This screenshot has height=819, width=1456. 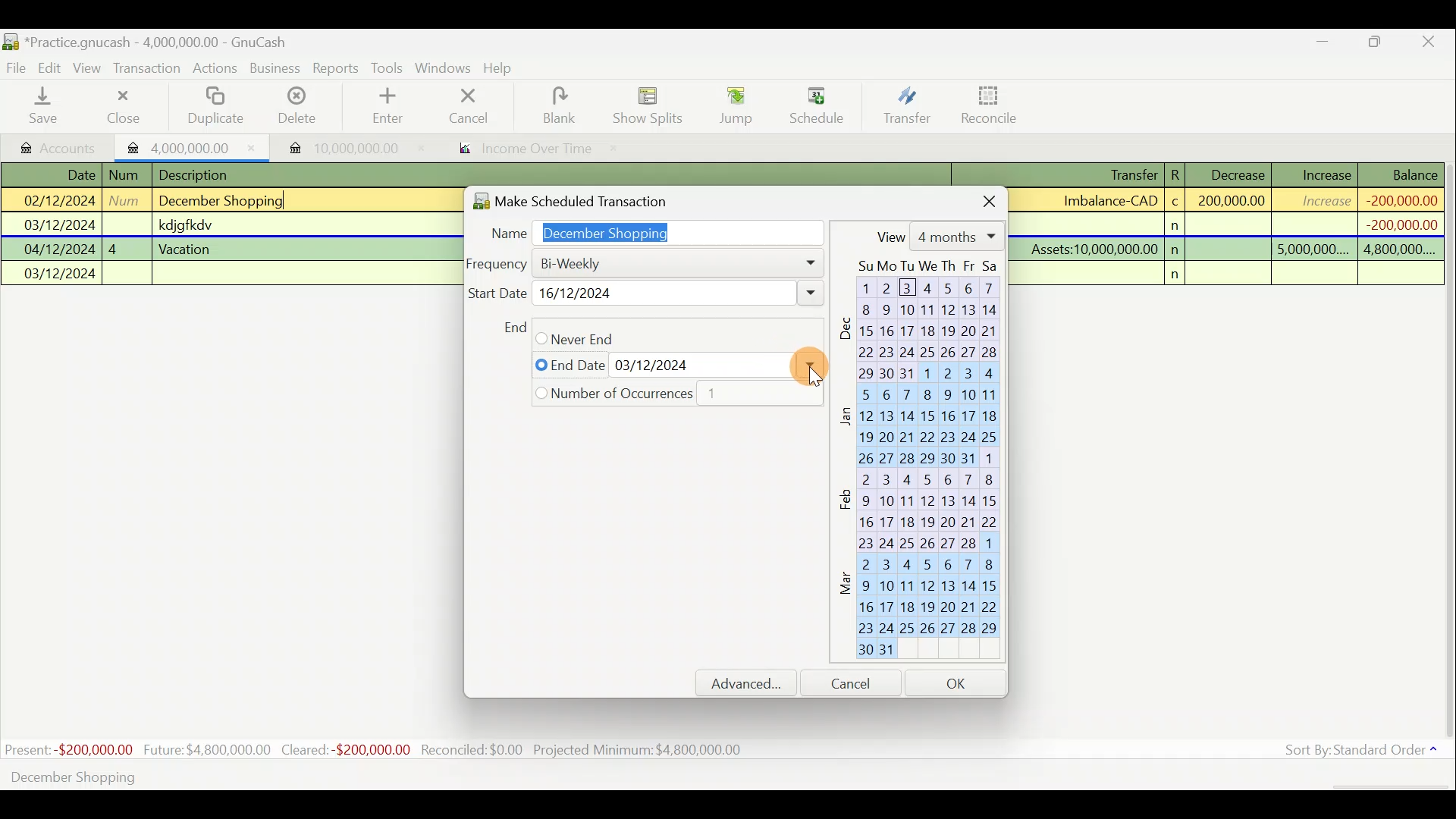 I want to click on Document name, so click(x=163, y=43).